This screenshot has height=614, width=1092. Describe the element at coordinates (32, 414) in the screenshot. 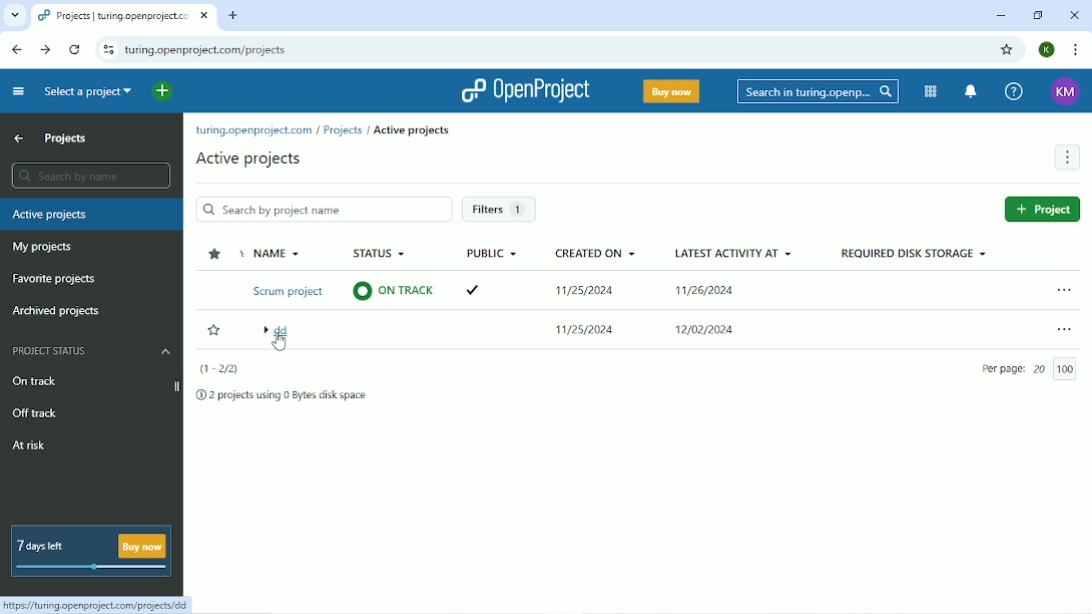

I see `Off track` at that location.